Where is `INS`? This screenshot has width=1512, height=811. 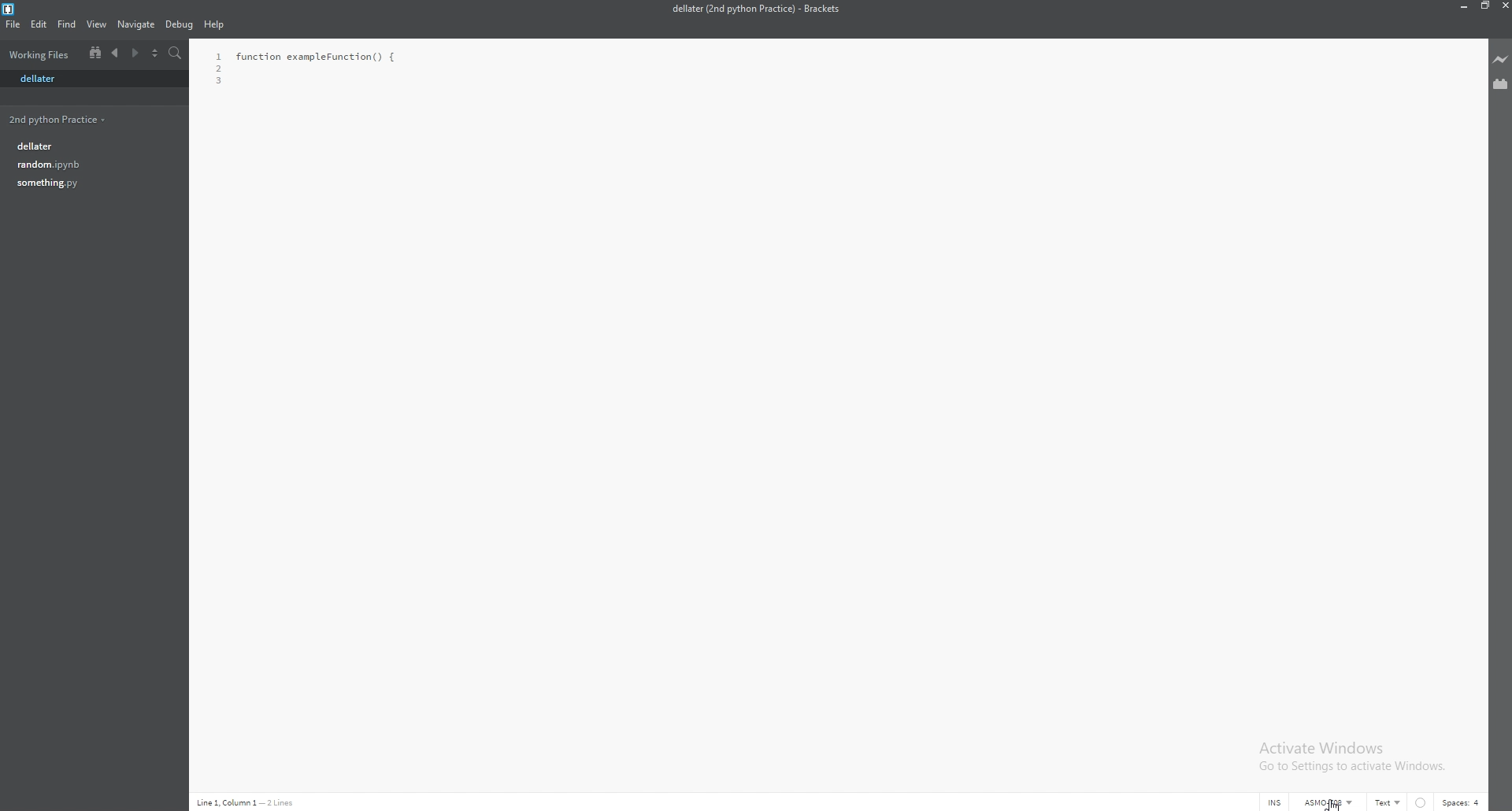
INS is located at coordinates (1274, 802).